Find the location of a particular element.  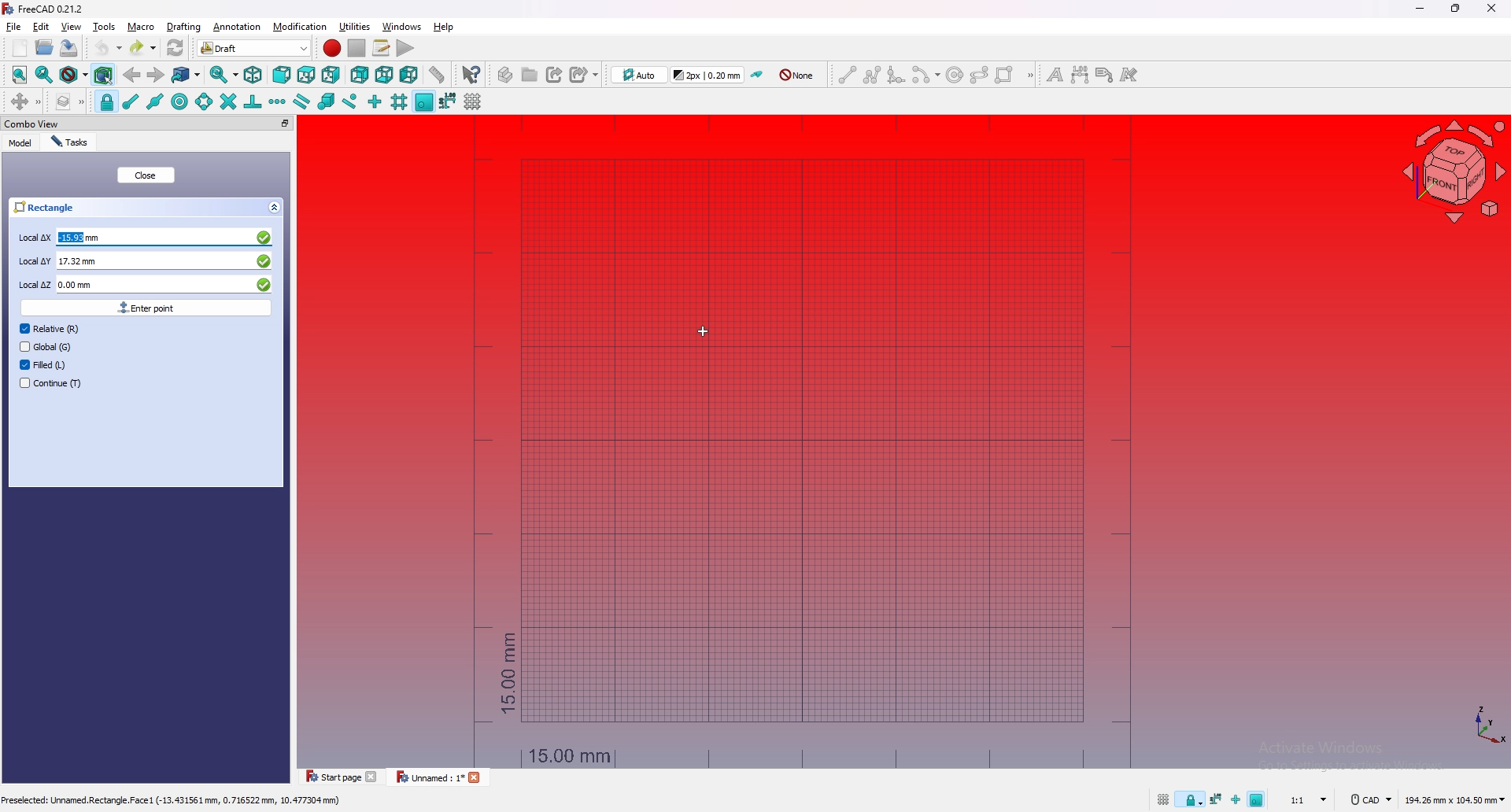

fit all is located at coordinates (20, 75).